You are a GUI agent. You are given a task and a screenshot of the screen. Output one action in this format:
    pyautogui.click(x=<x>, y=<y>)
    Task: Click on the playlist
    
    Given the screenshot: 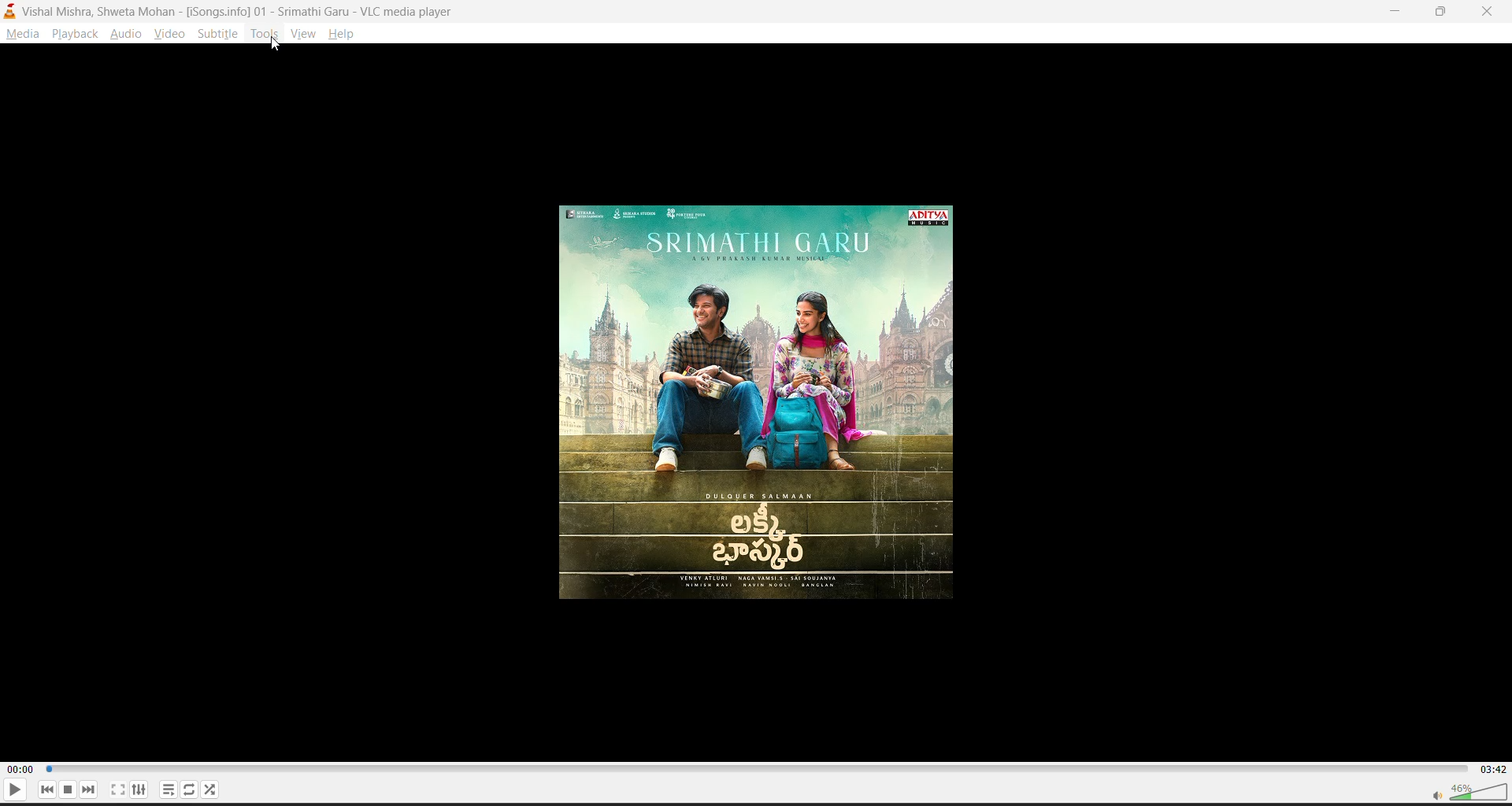 What is the action you would take?
    pyautogui.click(x=165, y=788)
    